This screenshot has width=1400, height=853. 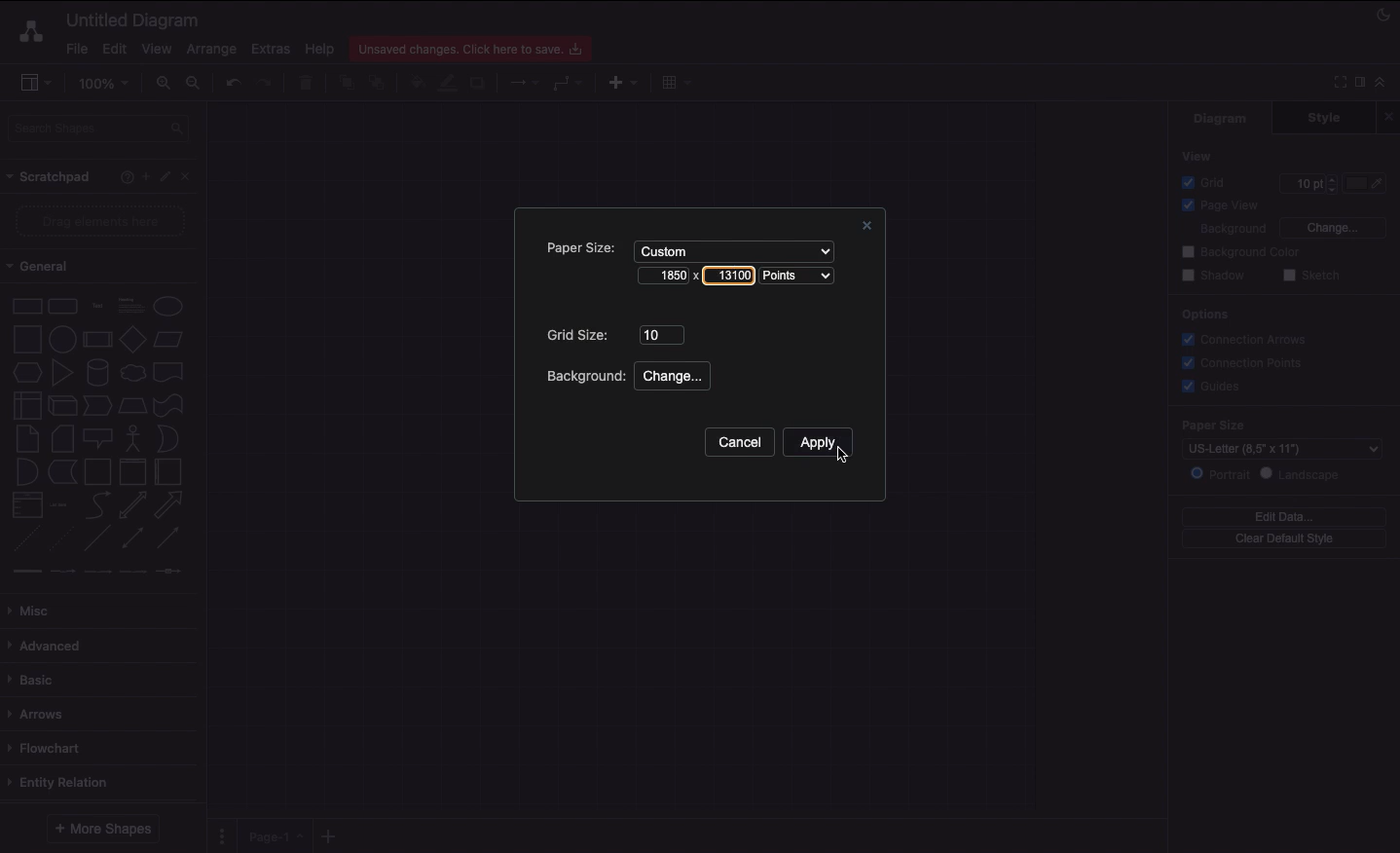 I want to click on Trash, so click(x=309, y=84).